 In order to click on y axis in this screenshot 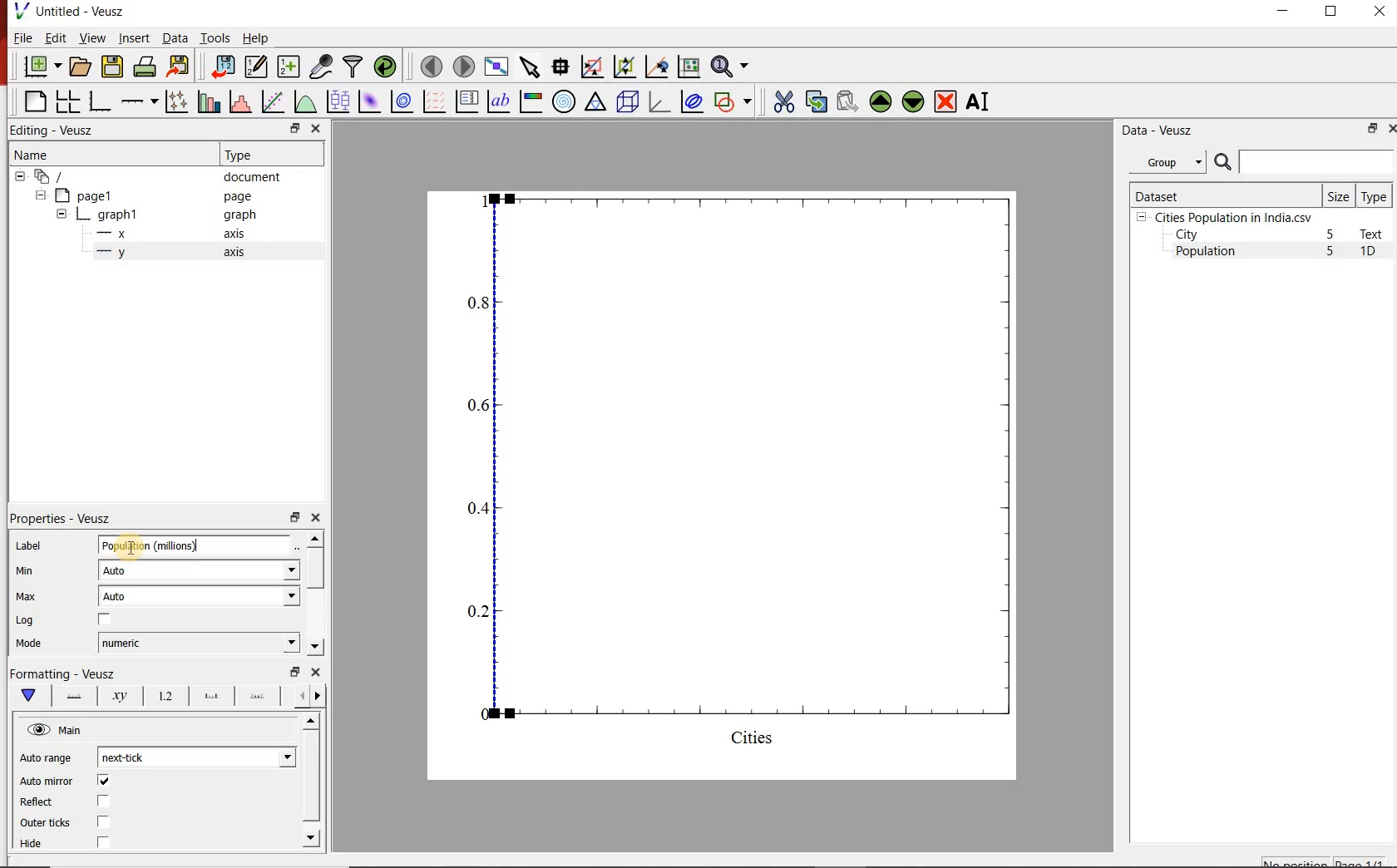, I will do `click(174, 253)`.